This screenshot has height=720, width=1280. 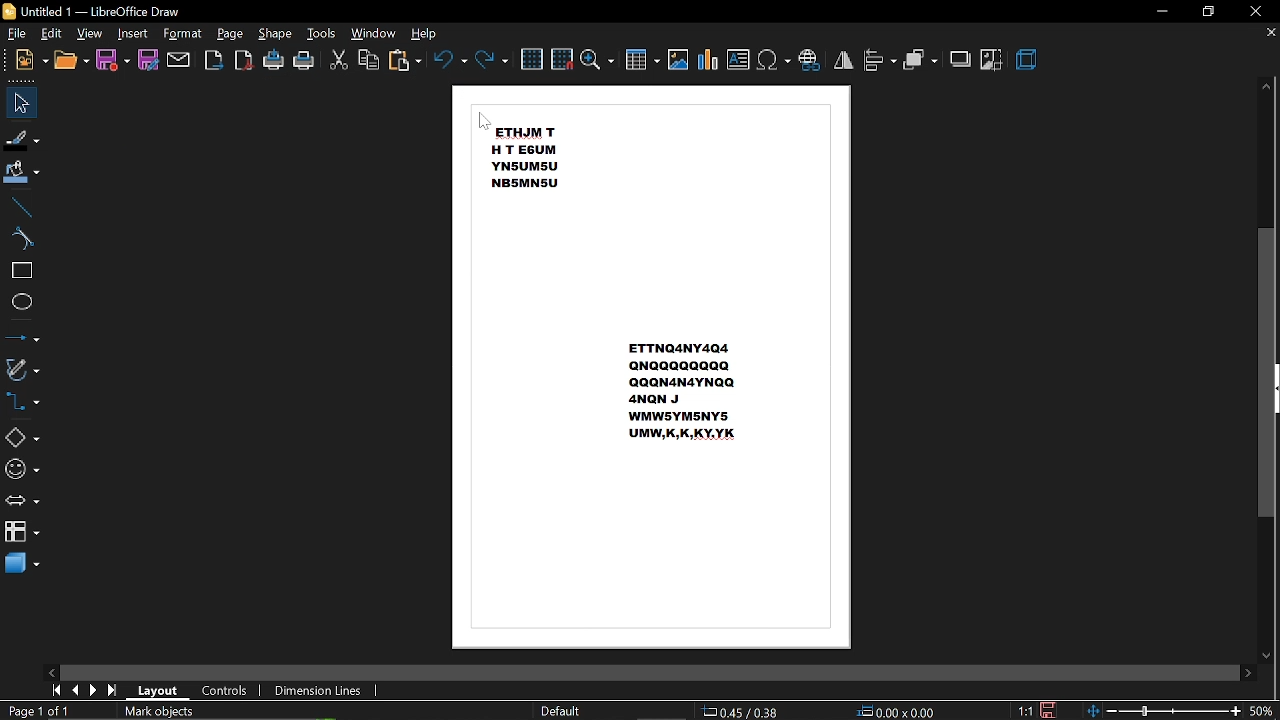 What do you see at coordinates (374, 34) in the screenshot?
I see `window` at bounding box center [374, 34].